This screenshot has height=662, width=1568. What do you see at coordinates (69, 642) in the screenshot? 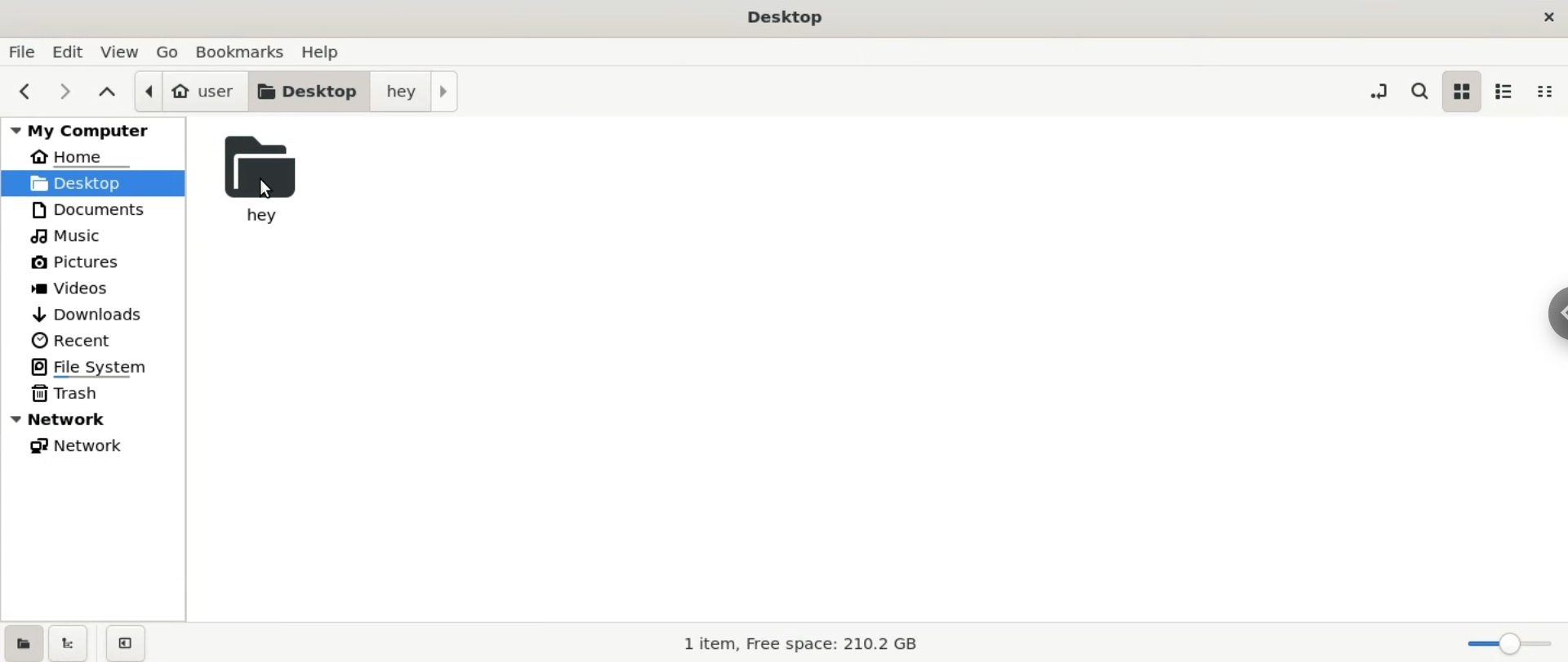
I see `show treeview` at bounding box center [69, 642].